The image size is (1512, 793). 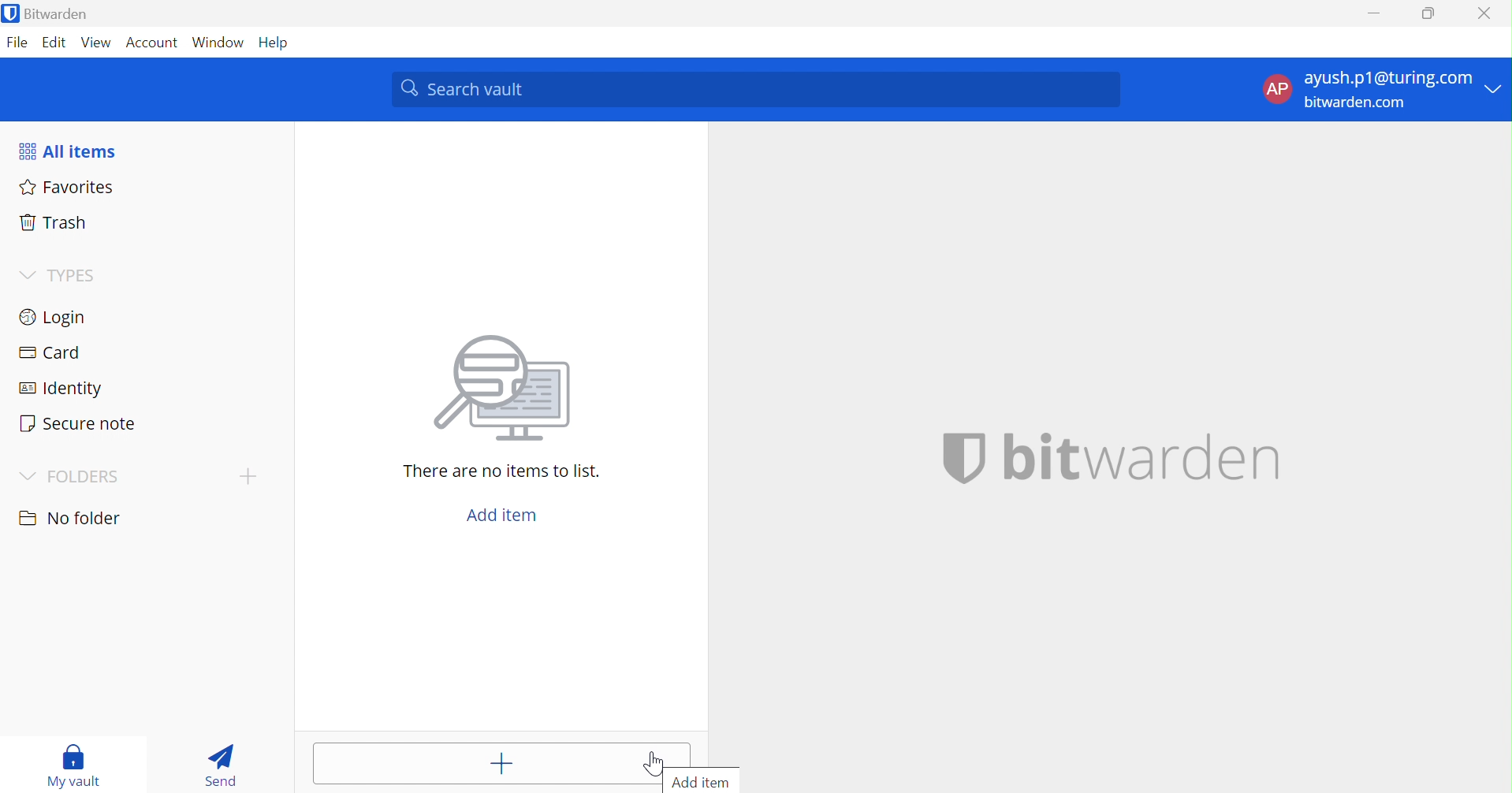 What do you see at coordinates (52, 222) in the screenshot?
I see `Trash` at bounding box center [52, 222].